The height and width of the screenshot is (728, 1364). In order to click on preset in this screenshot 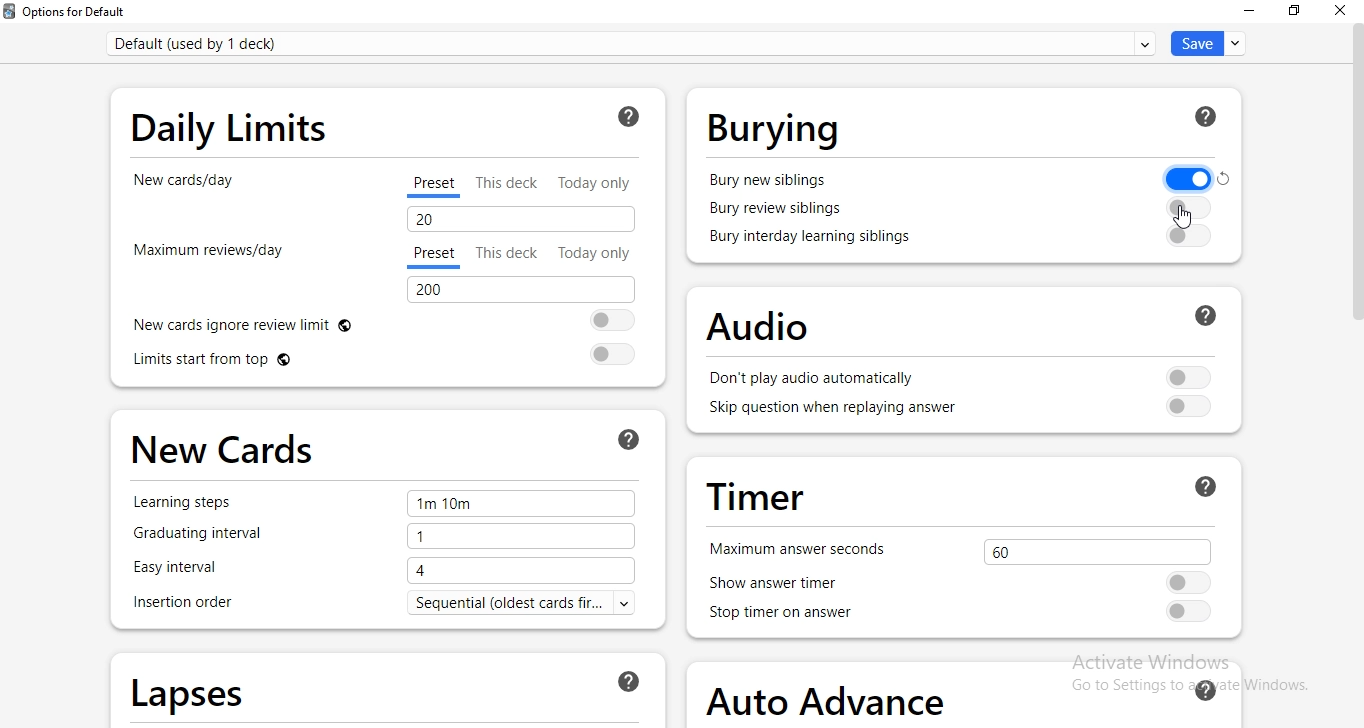, I will do `click(434, 257)`.